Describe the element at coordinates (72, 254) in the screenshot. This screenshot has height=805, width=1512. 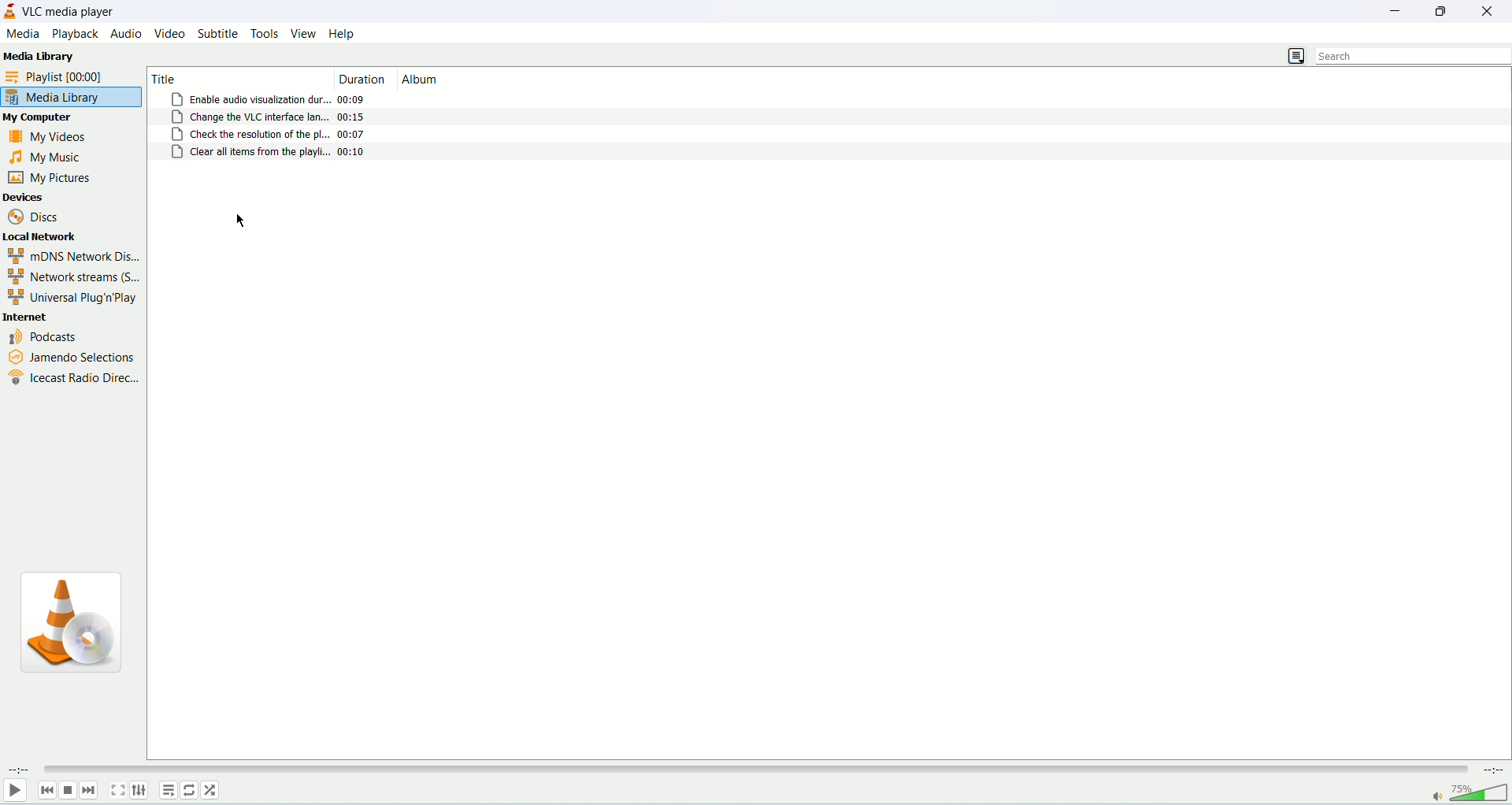
I see `mDNS Network` at that location.